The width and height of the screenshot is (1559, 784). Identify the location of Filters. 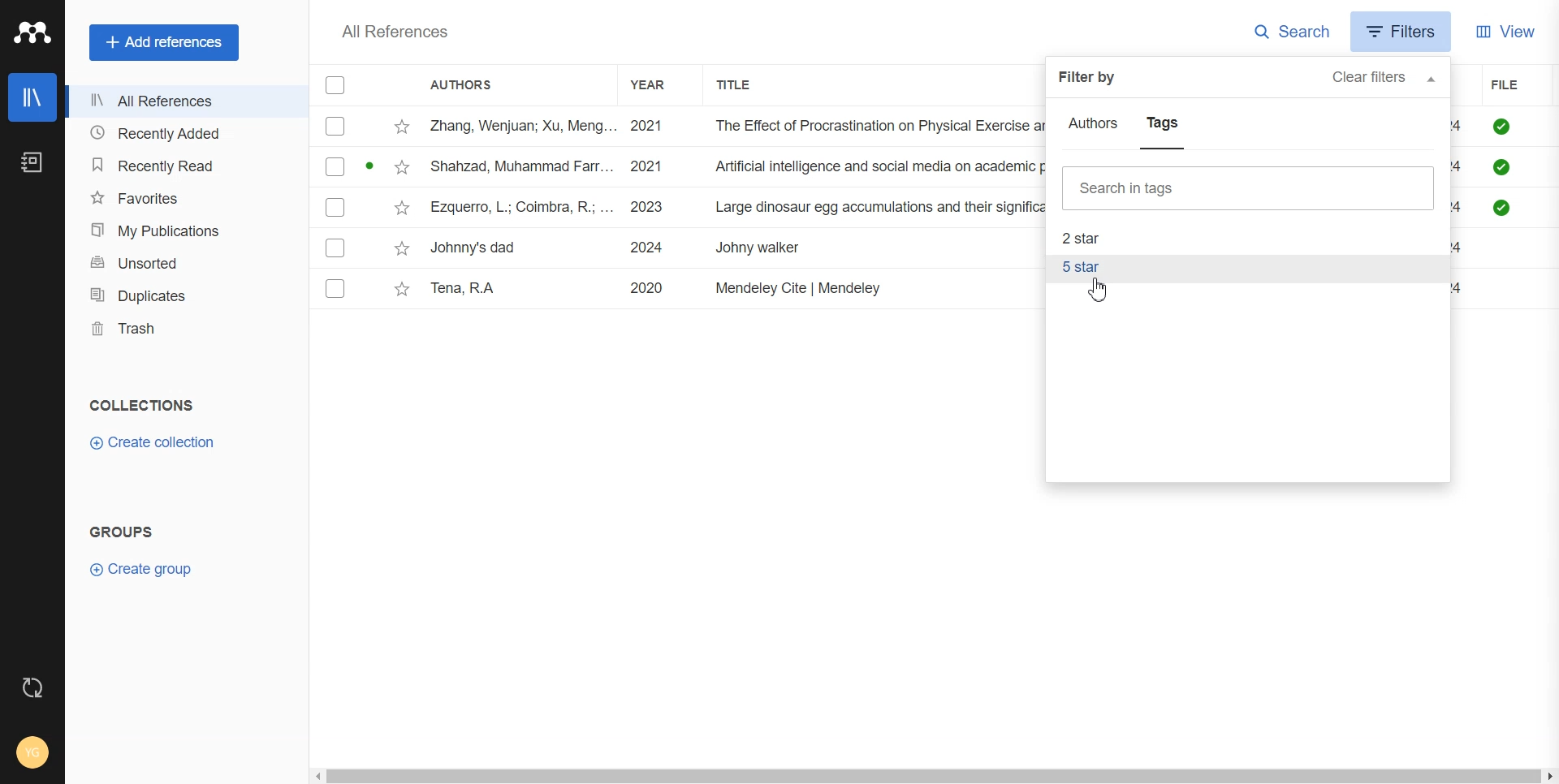
(1401, 30).